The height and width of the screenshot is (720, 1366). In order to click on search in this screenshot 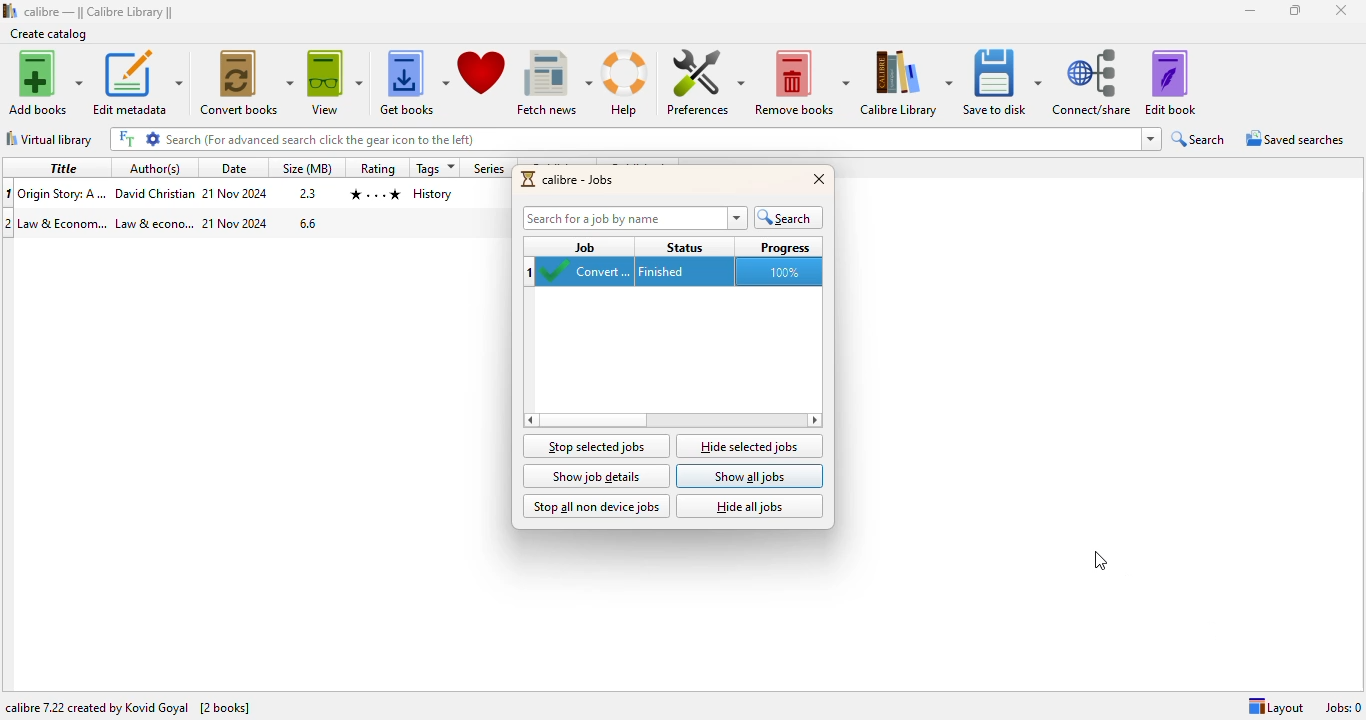, I will do `click(1198, 139)`.